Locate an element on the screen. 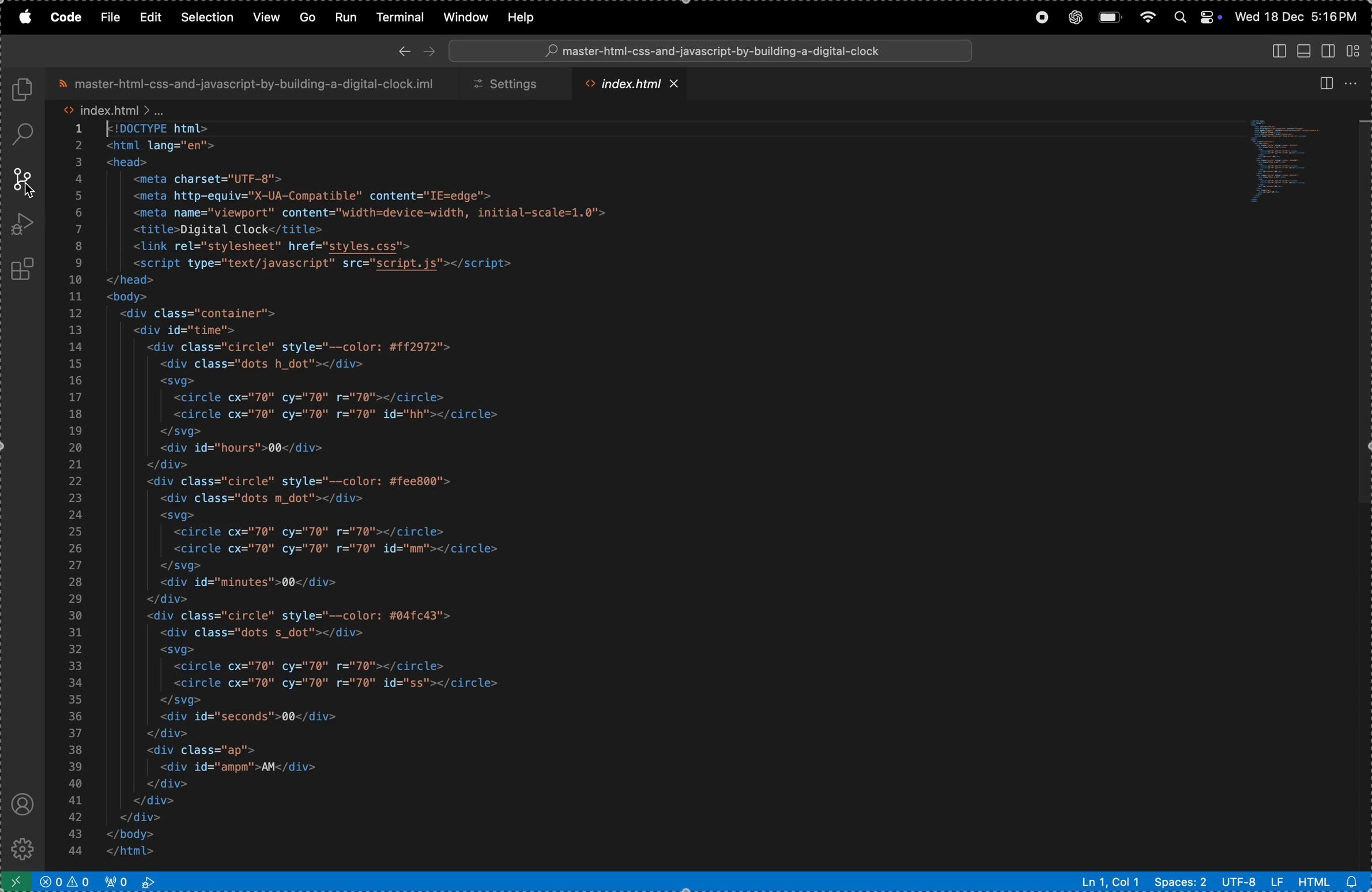 The width and height of the screenshot is (1372, 892). <head> is located at coordinates (129, 161).